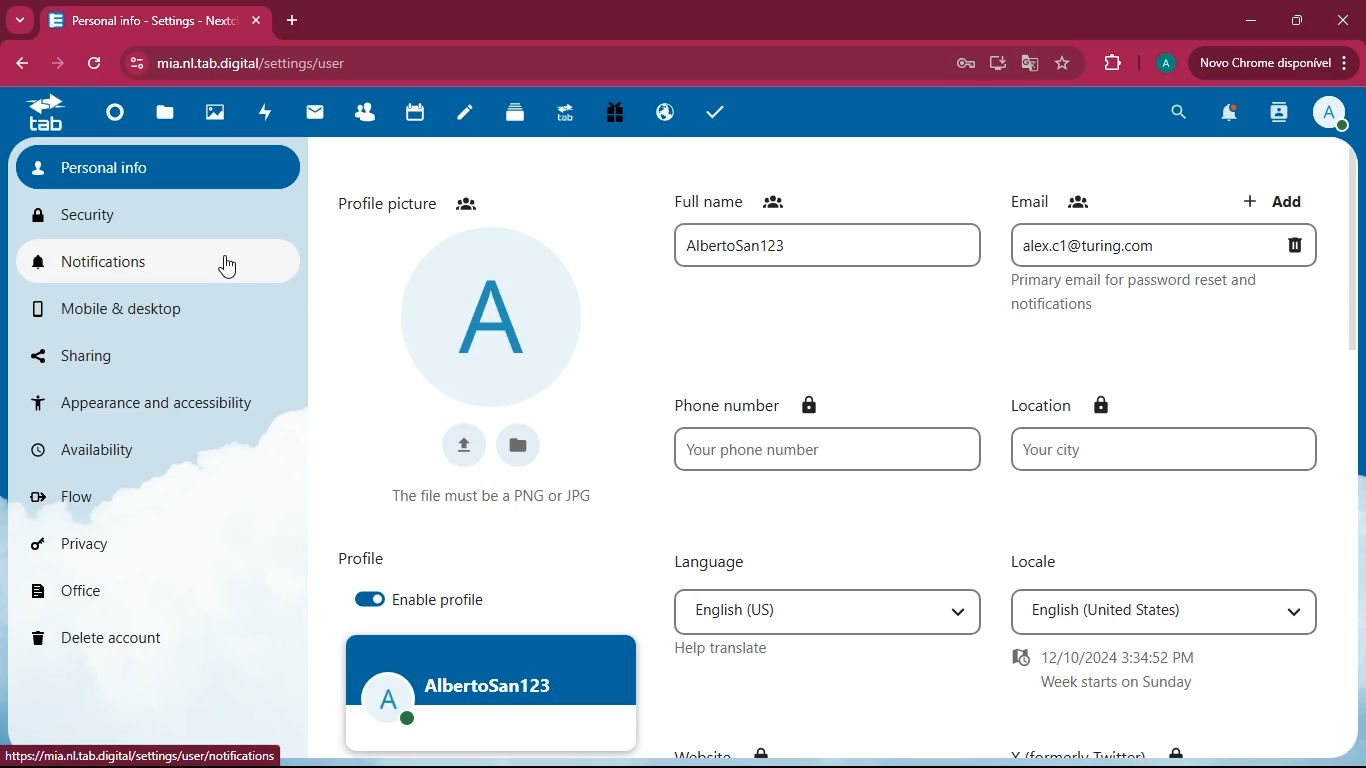 The height and width of the screenshot is (768, 1366). Describe the element at coordinates (412, 199) in the screenshot. I see `profile picture` at that location.